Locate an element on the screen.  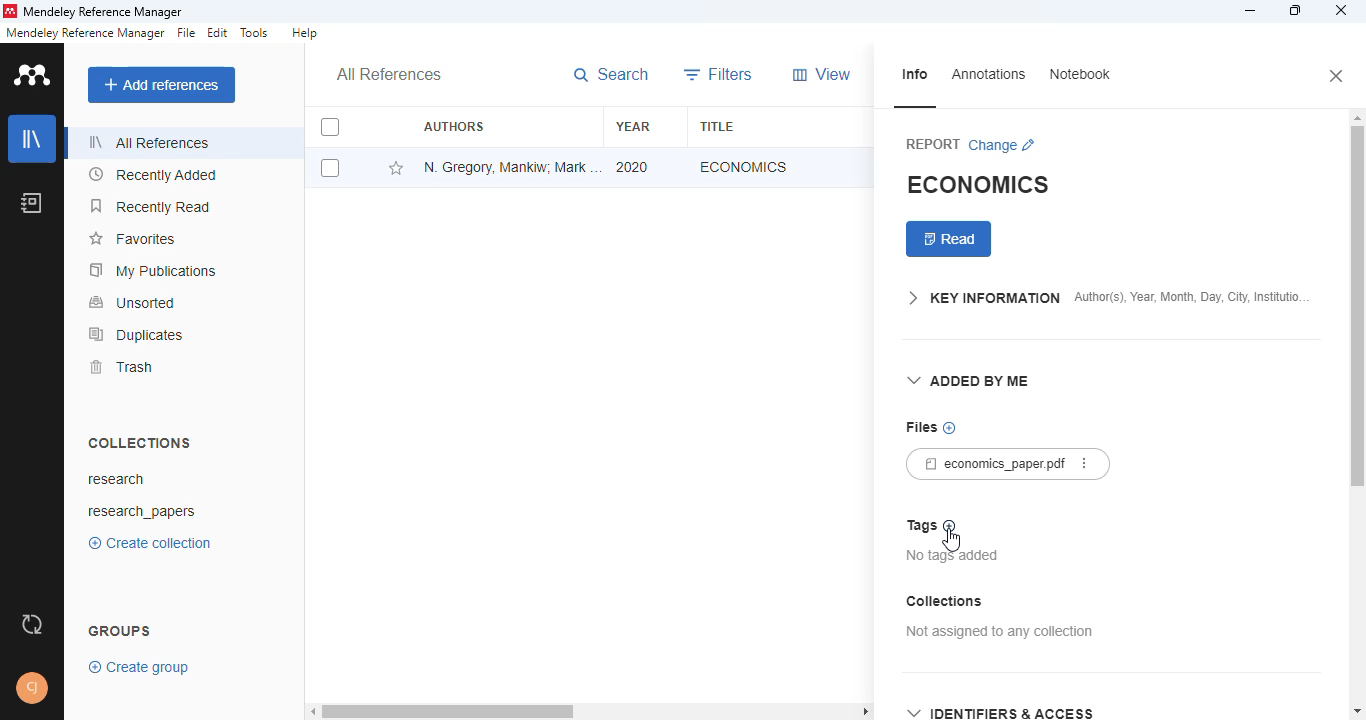
economics_paper.pdf is located at coordinates (987, 463).